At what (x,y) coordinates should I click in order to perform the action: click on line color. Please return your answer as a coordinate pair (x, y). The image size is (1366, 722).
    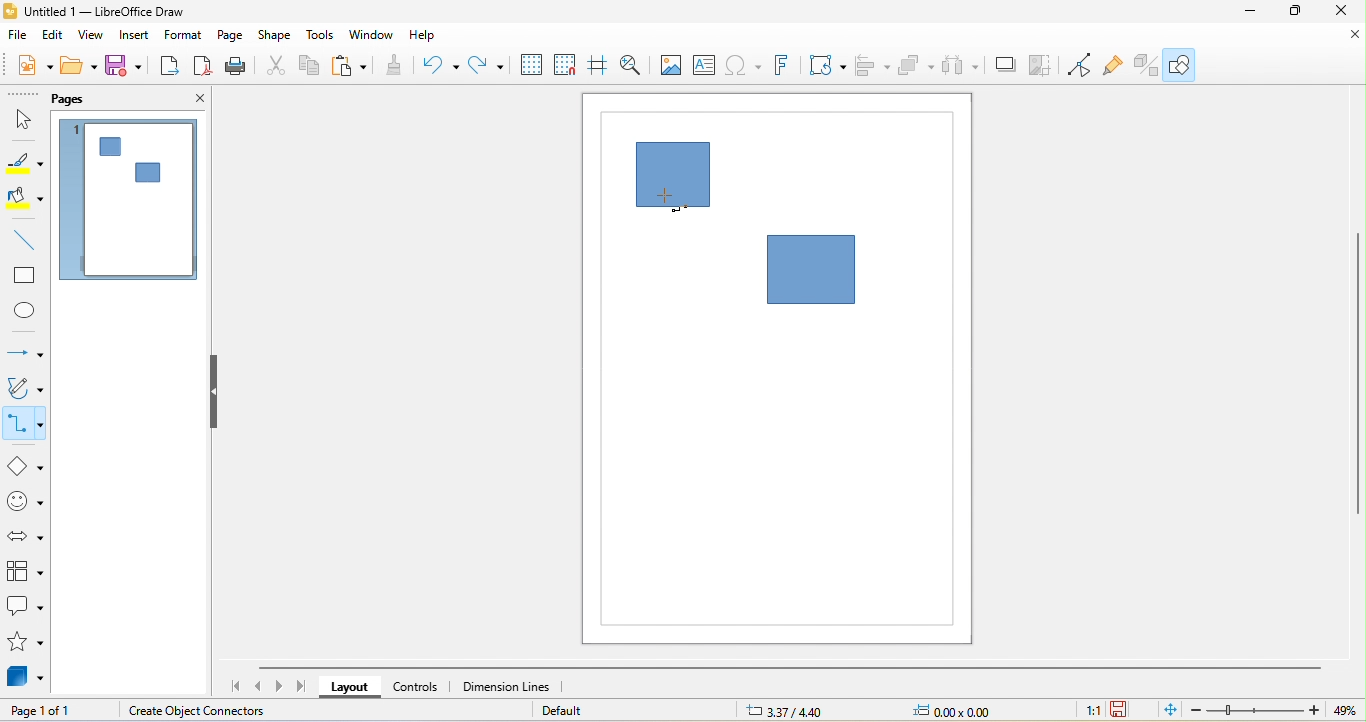
    Looking at the image, I should click on (25, 162).